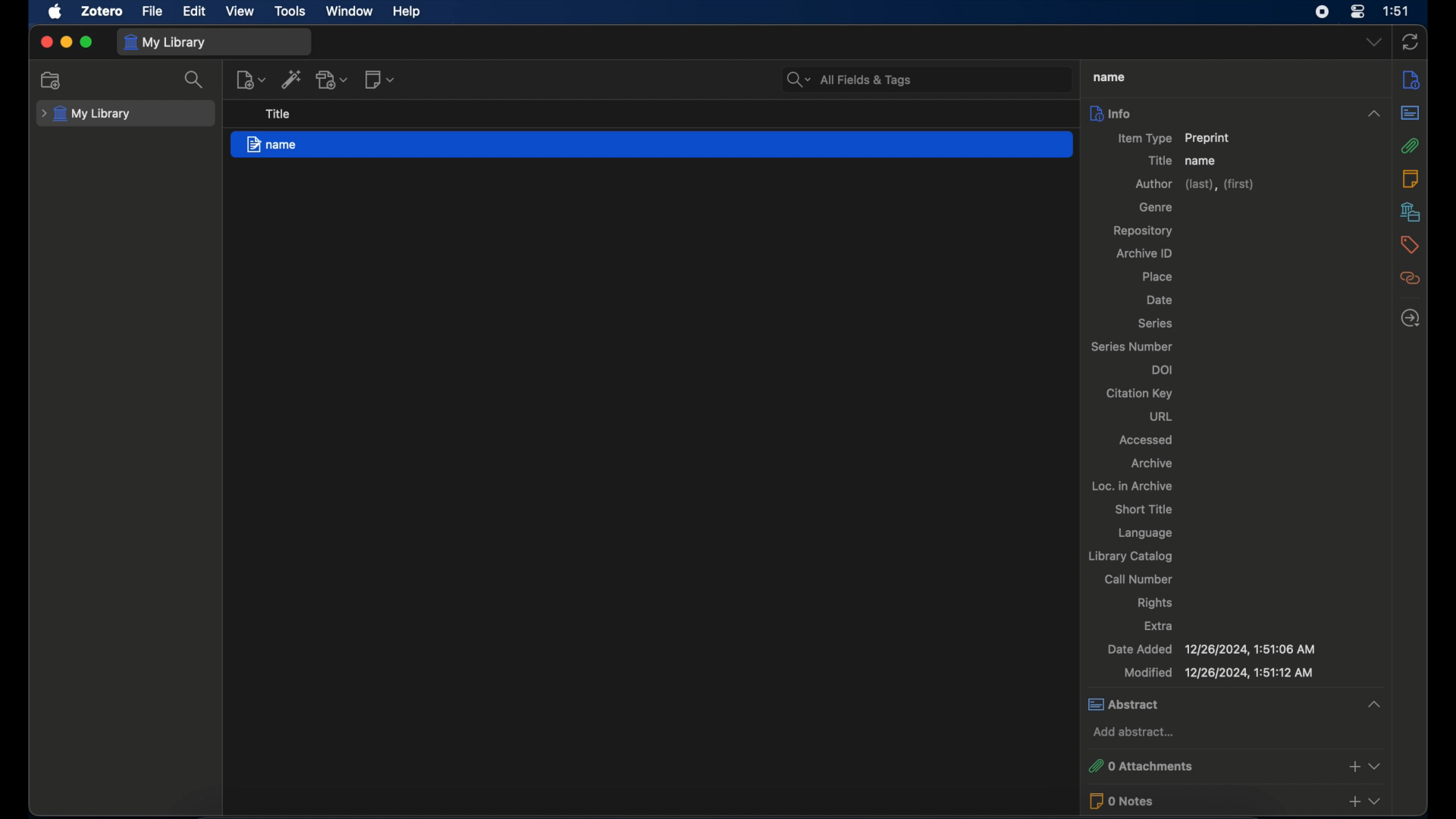  What do you see at coordinates (1235, 112) in the screenshot?
I see `info` at bounding box center [1235, 112].